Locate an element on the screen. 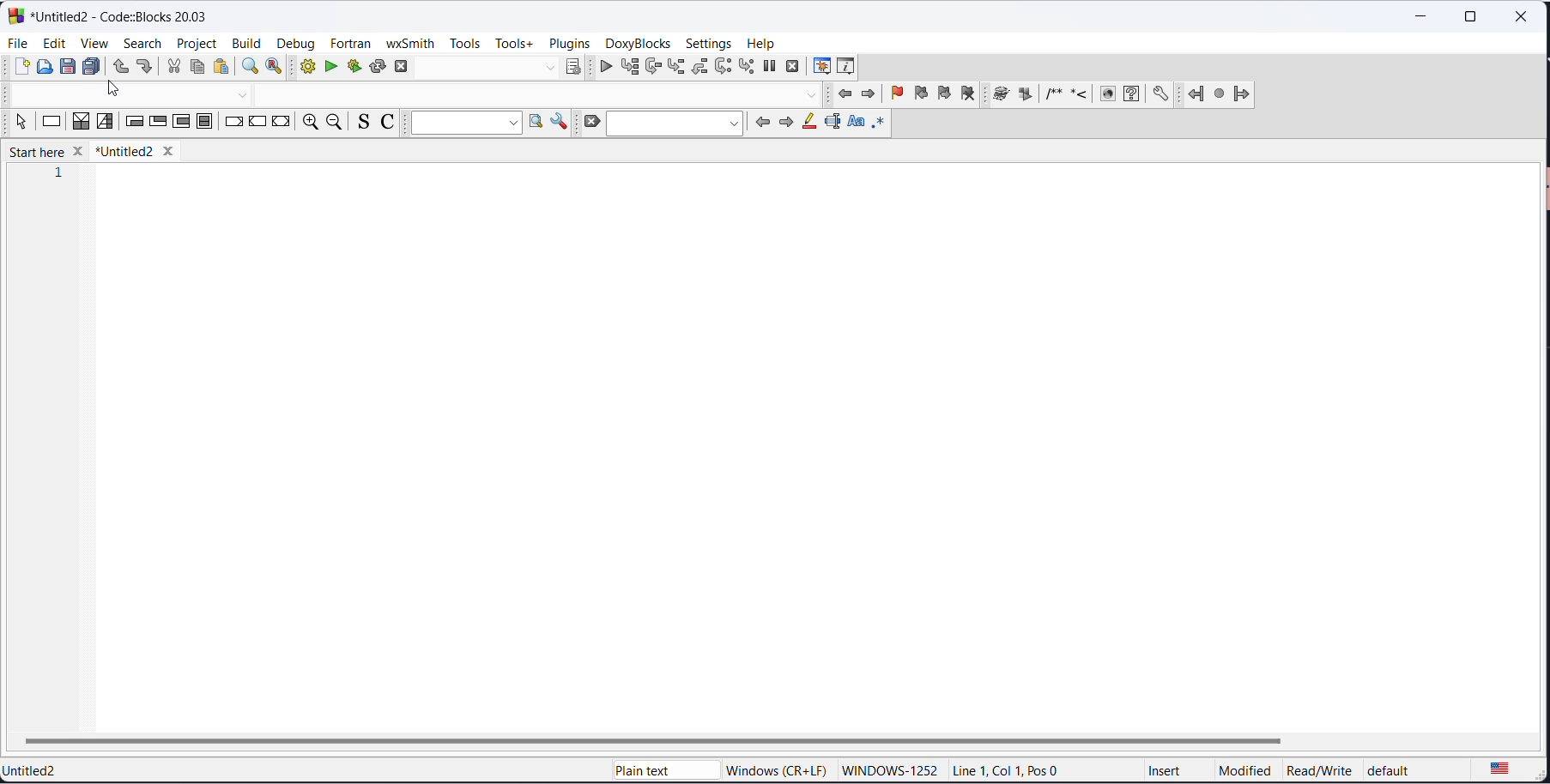  Fortran is located at coordinates (352, 43).